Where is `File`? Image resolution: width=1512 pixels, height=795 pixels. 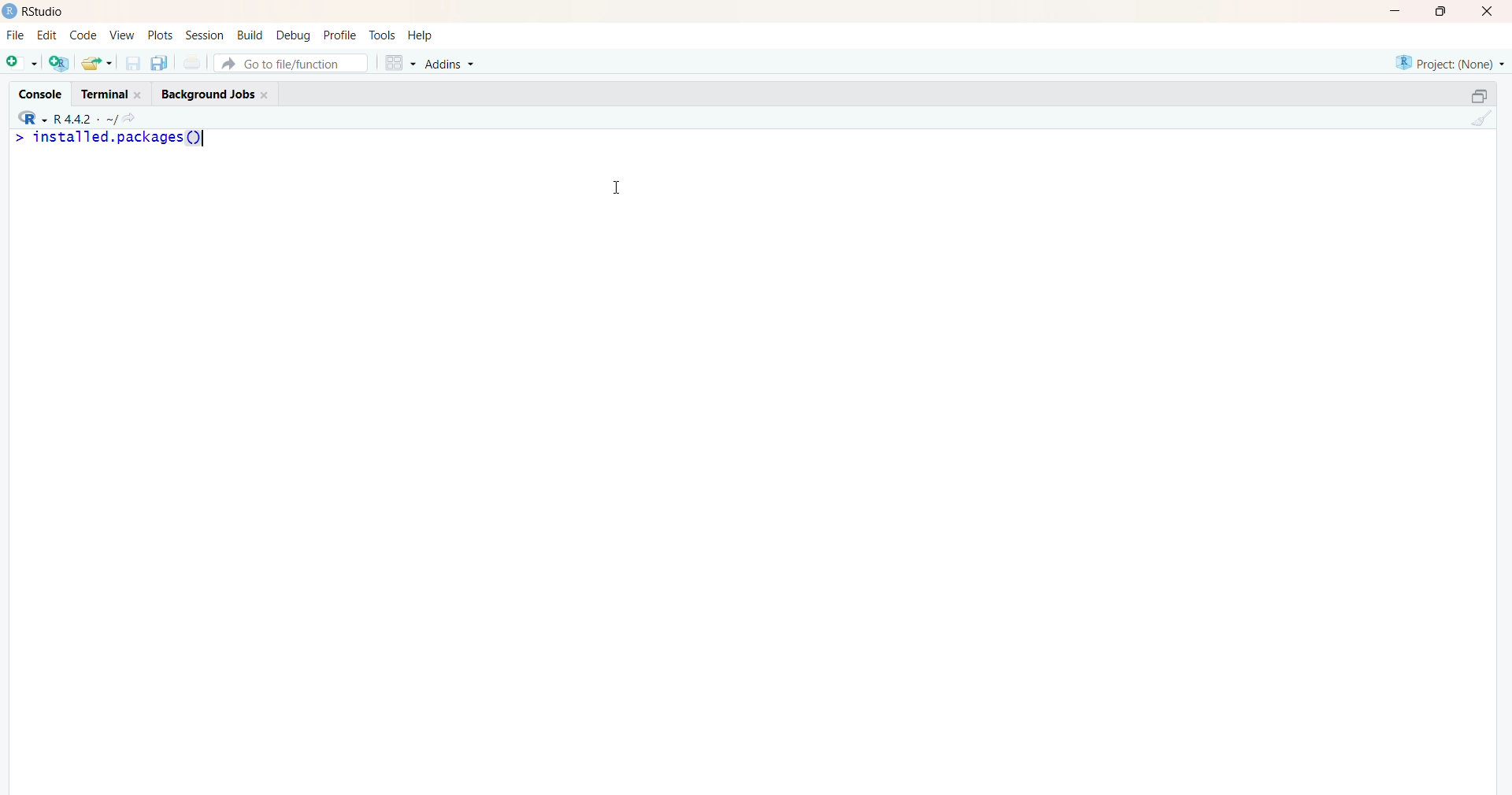
File is located at coordinates (13, 37).